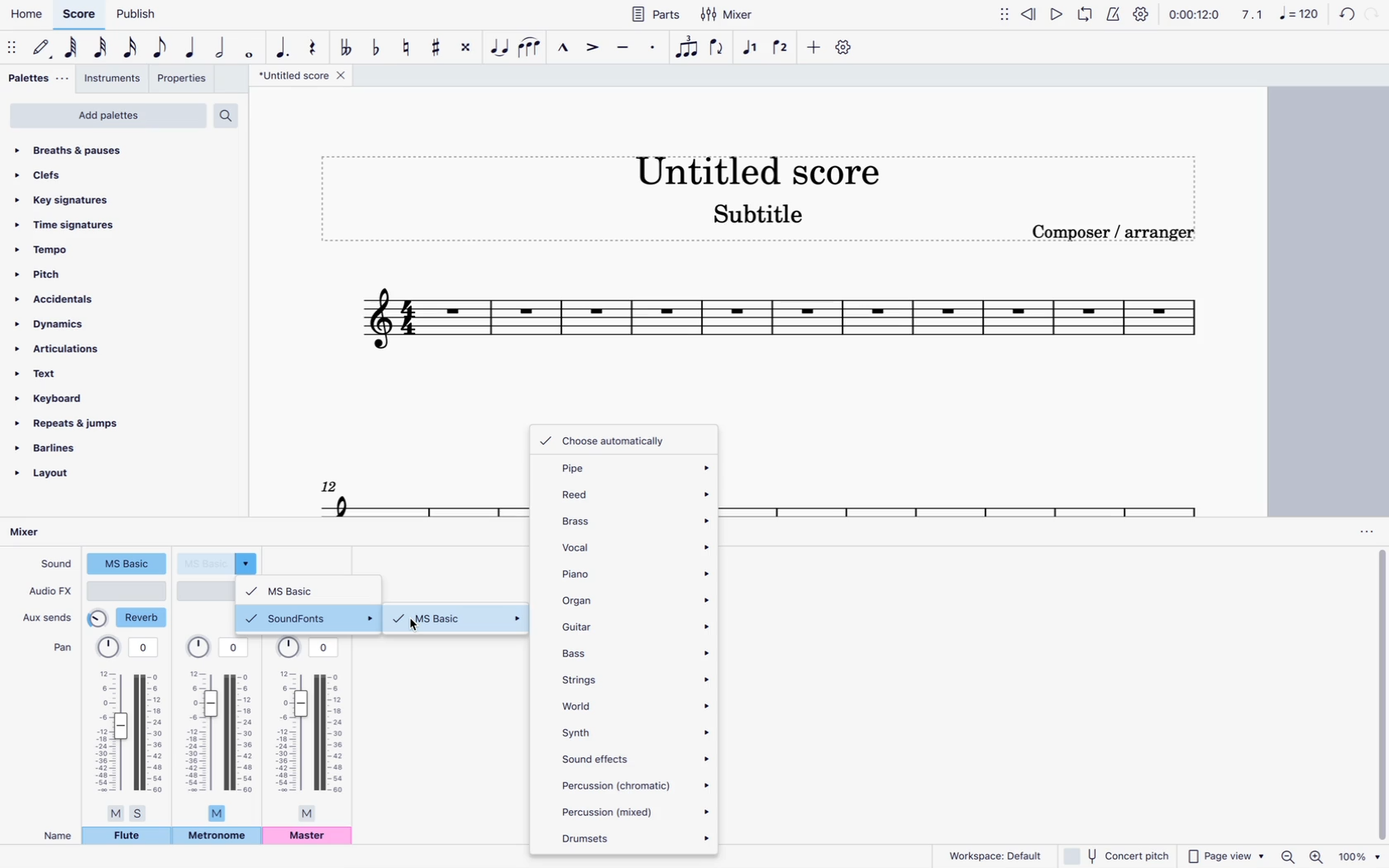 This screenshot has height=868, width=1389. Describe the element at coordinates (127, 838) in the screenshot. I see `flute` at that location.